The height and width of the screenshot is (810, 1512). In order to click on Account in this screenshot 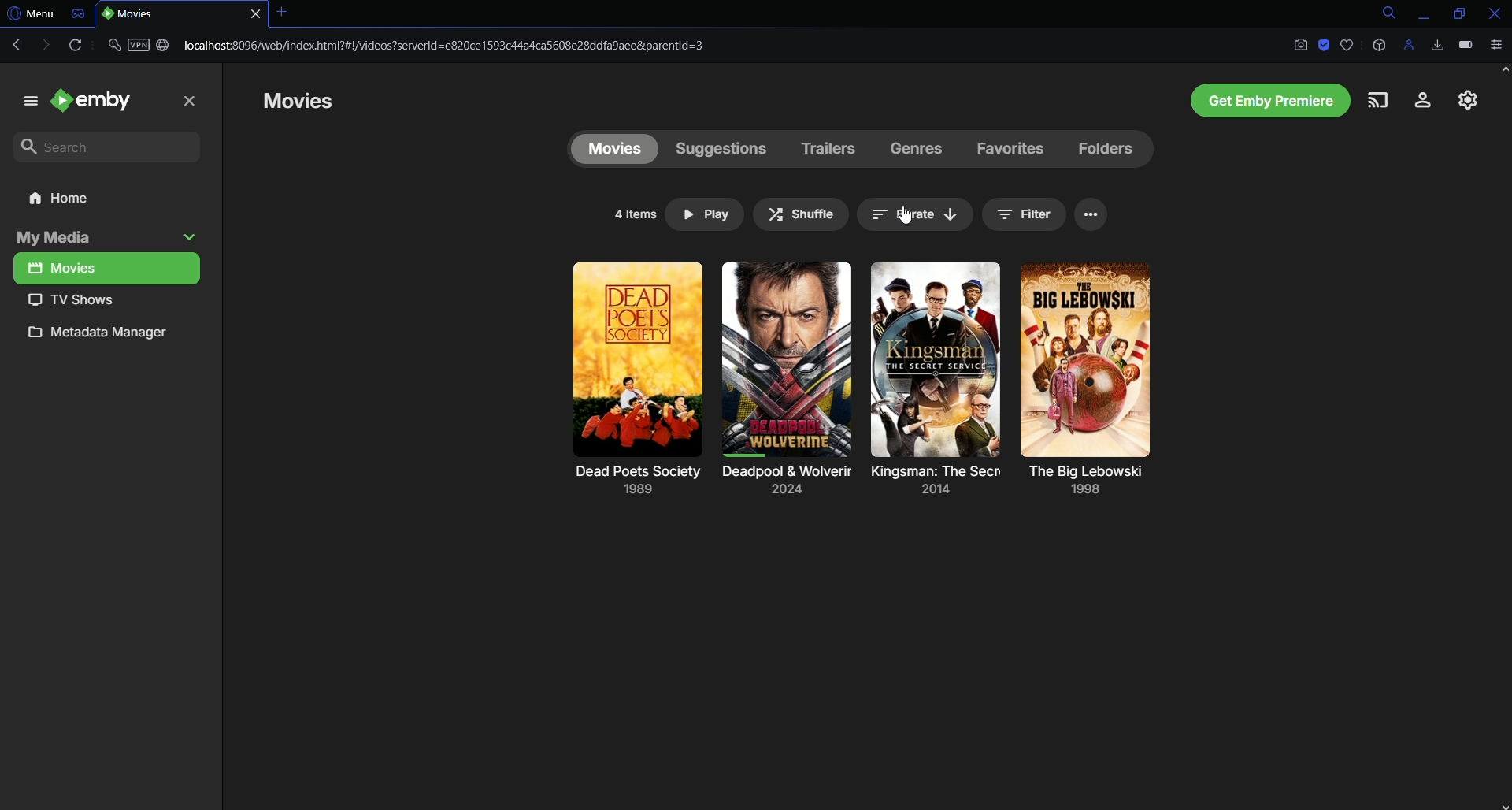, I will do `click(1416, 102)`.